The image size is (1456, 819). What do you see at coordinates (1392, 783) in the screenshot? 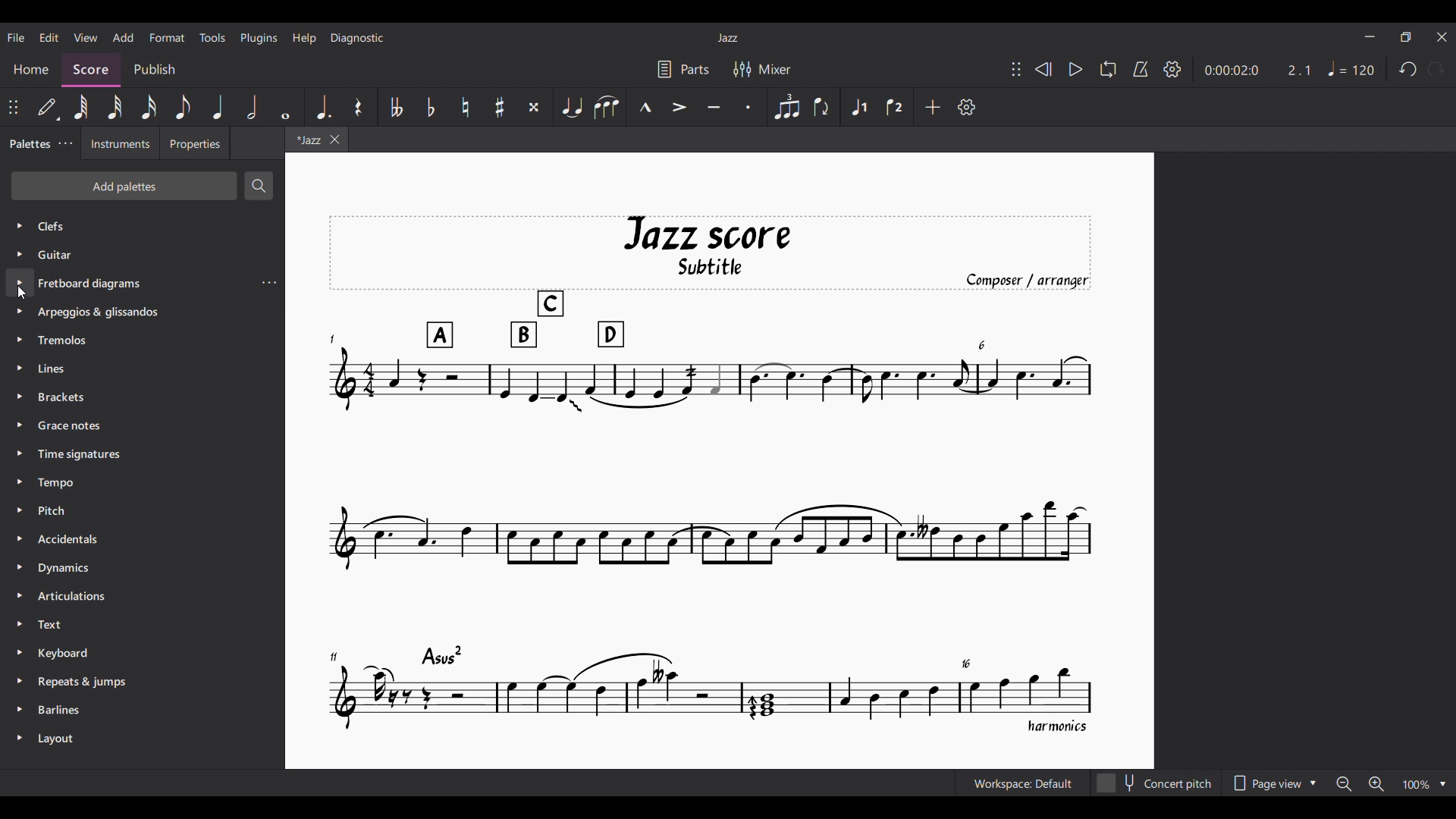
I see `Zoom options` at bounding box center [1392, 783].